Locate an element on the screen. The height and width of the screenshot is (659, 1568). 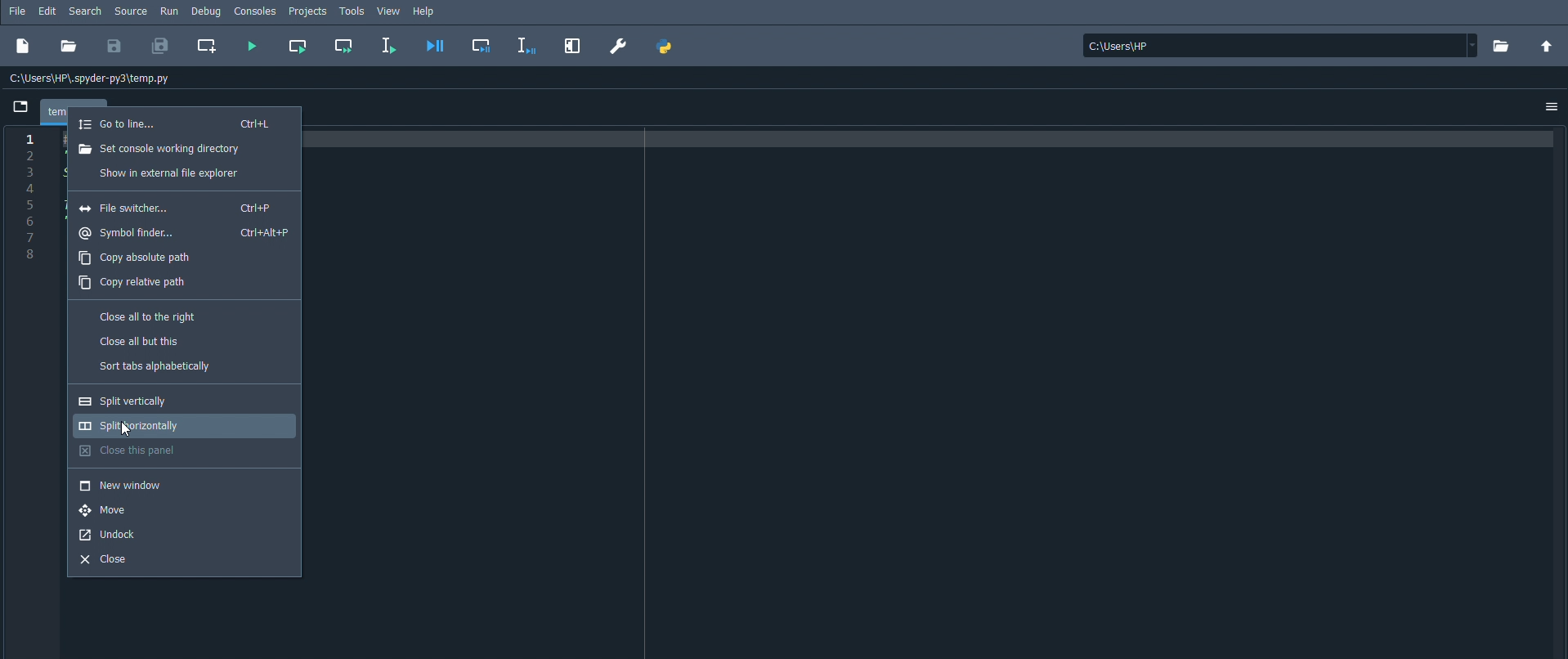
line numbers is located at coordinates (28, 199).